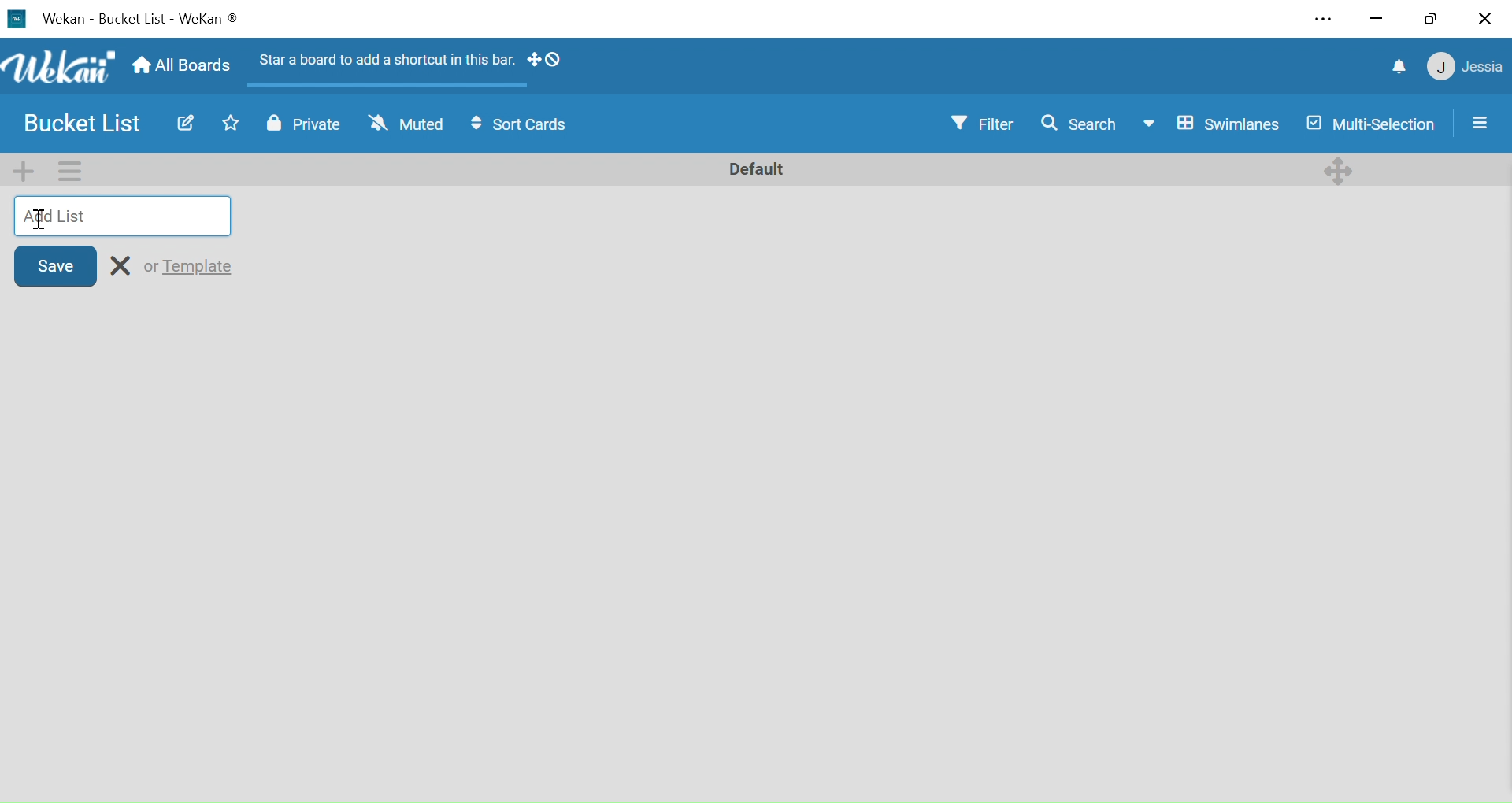  What do you see at coordinates (180, 67) in the screenshot?
I see `All board- Home` at bounding box center [180, 67].